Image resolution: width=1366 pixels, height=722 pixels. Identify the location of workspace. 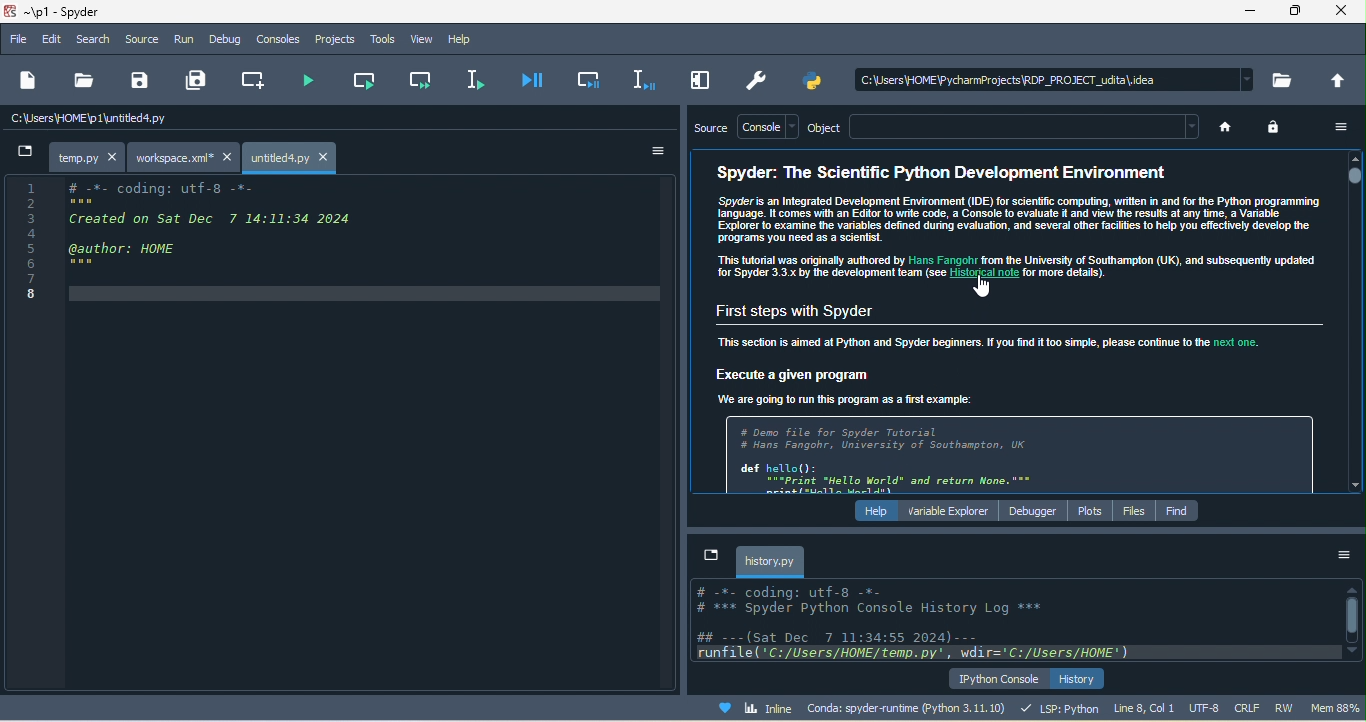
(185, 159).